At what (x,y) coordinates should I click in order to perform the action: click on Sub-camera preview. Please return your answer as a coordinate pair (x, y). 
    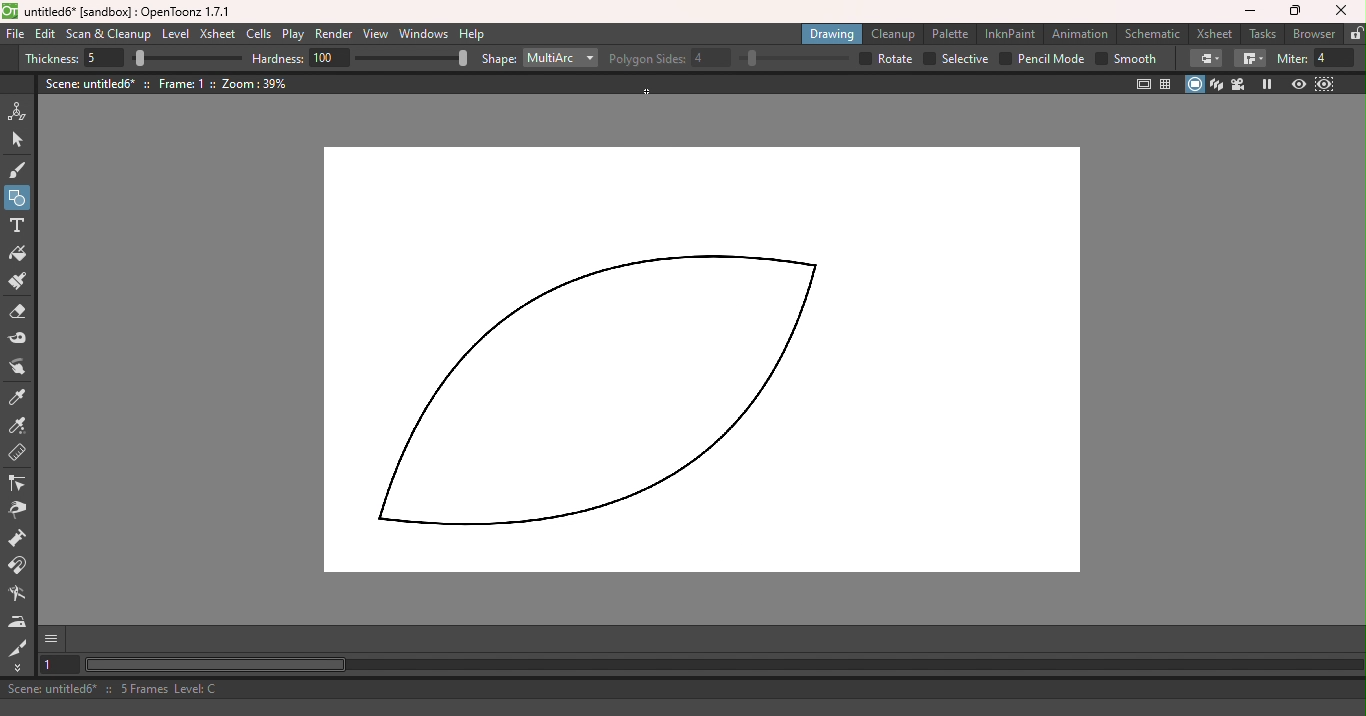
    Looking at the image, I should click on (1324, 85).